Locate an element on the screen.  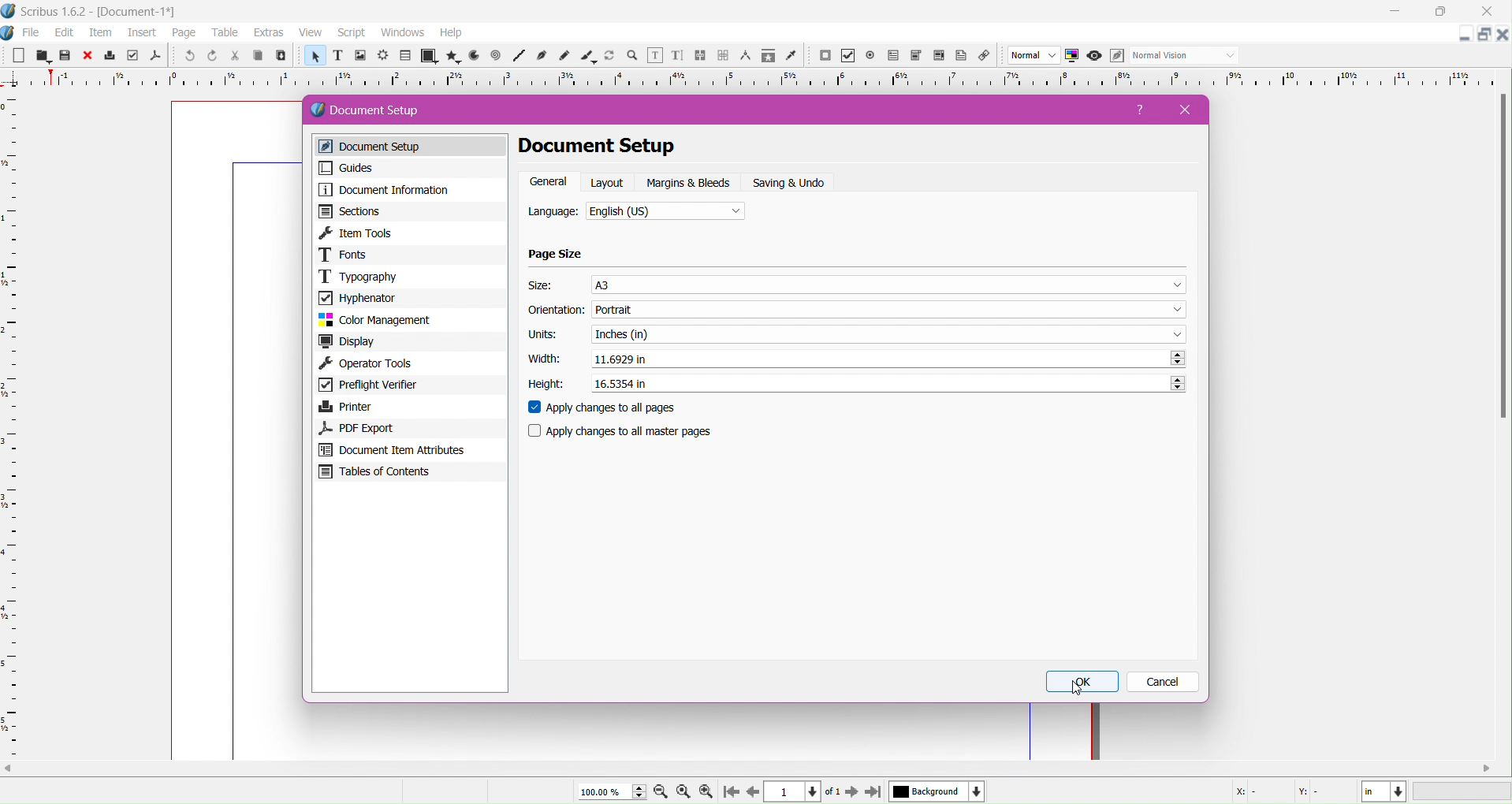
X:- Y:- is located at coordinates (1281, 791).